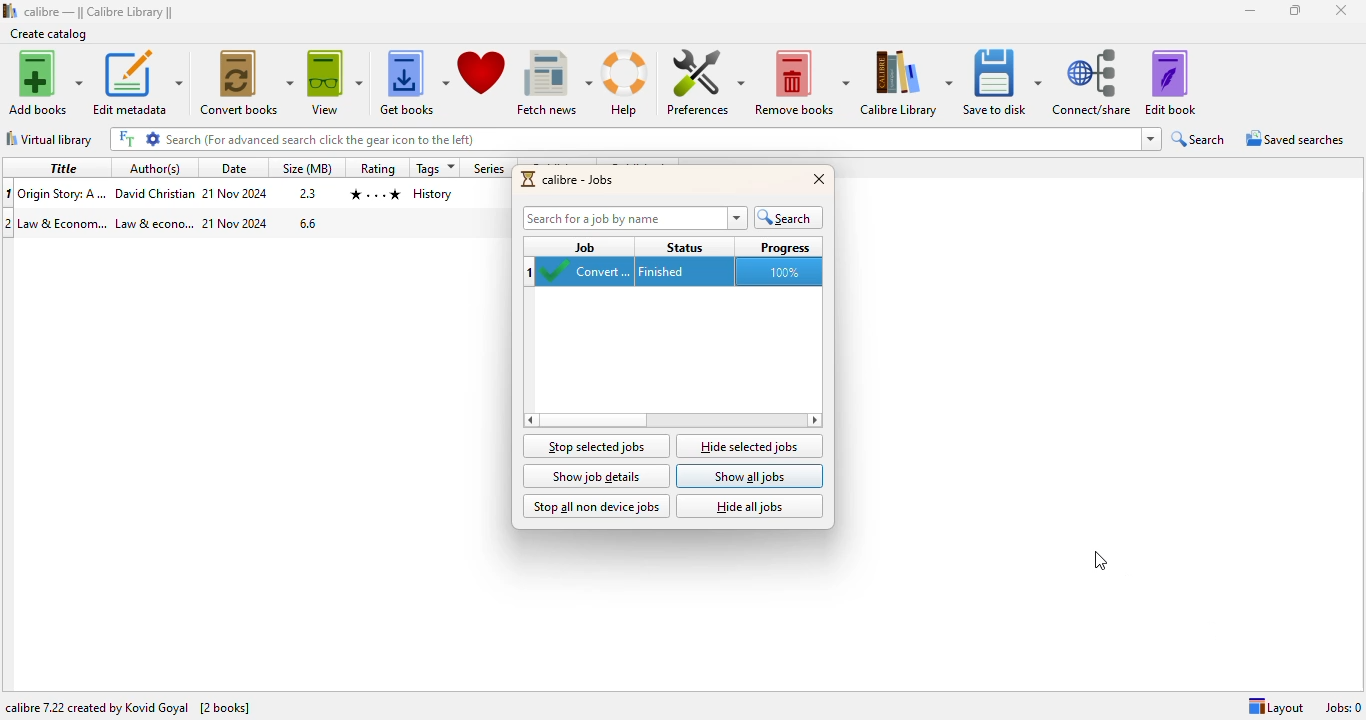  I want to click on finished, so click(681, 272).